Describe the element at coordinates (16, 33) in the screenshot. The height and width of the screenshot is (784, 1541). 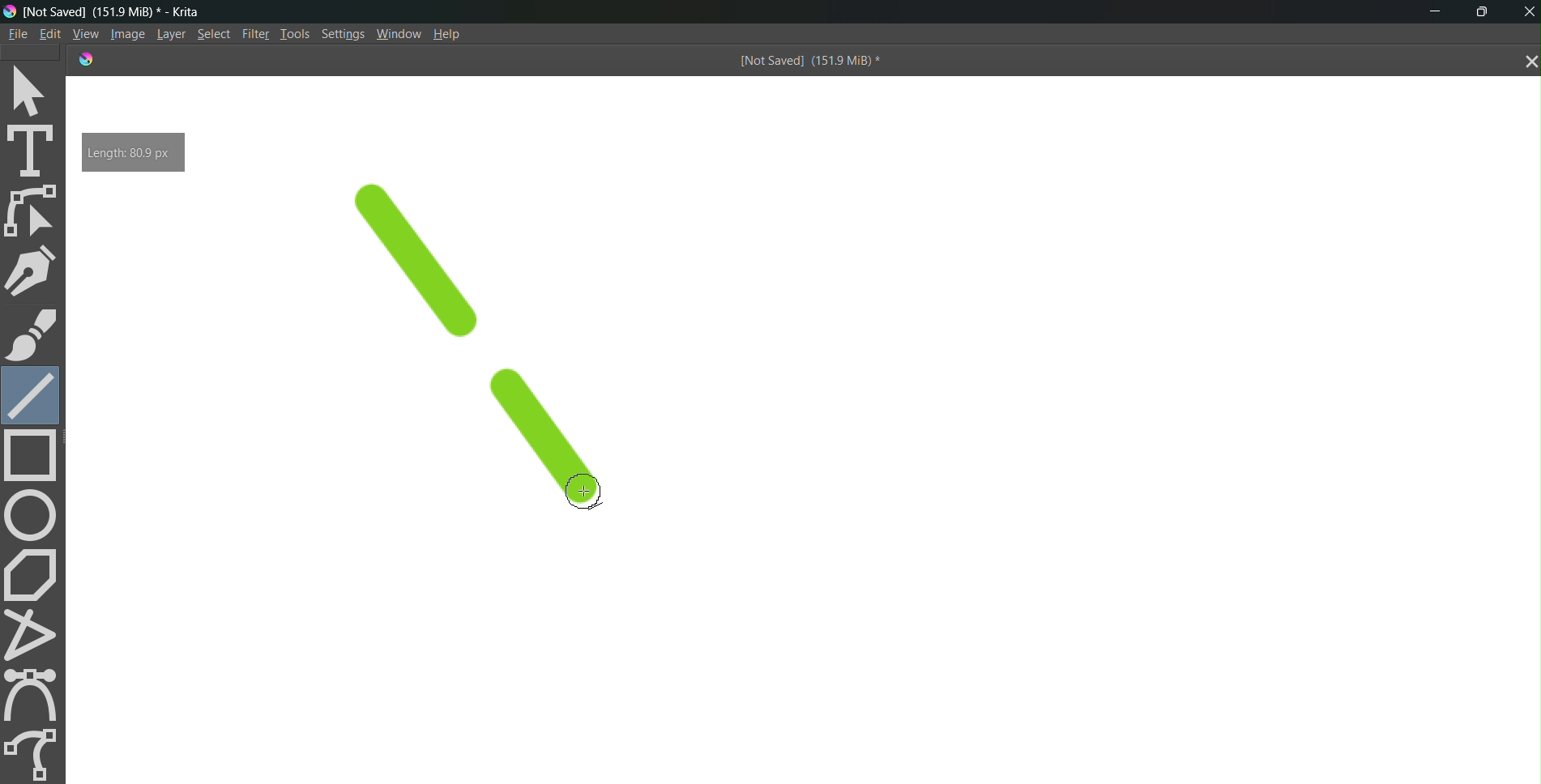
I see `File` at that location.